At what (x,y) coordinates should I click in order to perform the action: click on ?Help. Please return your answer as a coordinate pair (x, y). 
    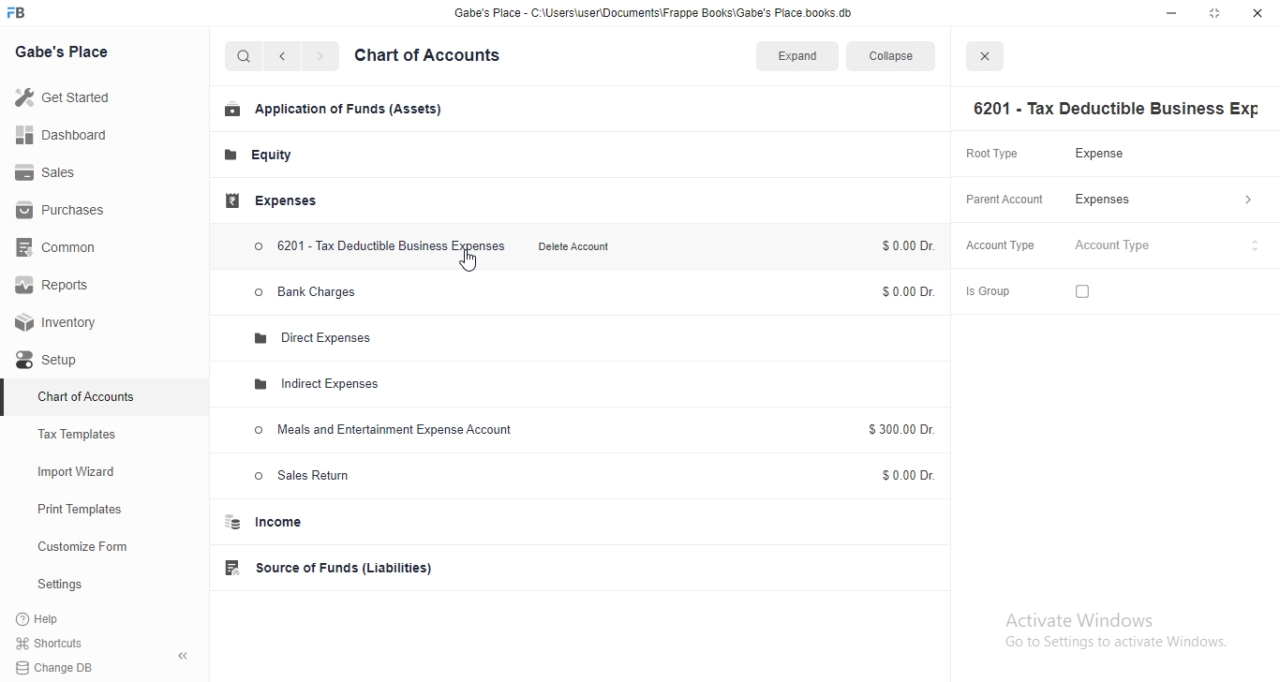
    Looking at the image, I should click on (59, 619).